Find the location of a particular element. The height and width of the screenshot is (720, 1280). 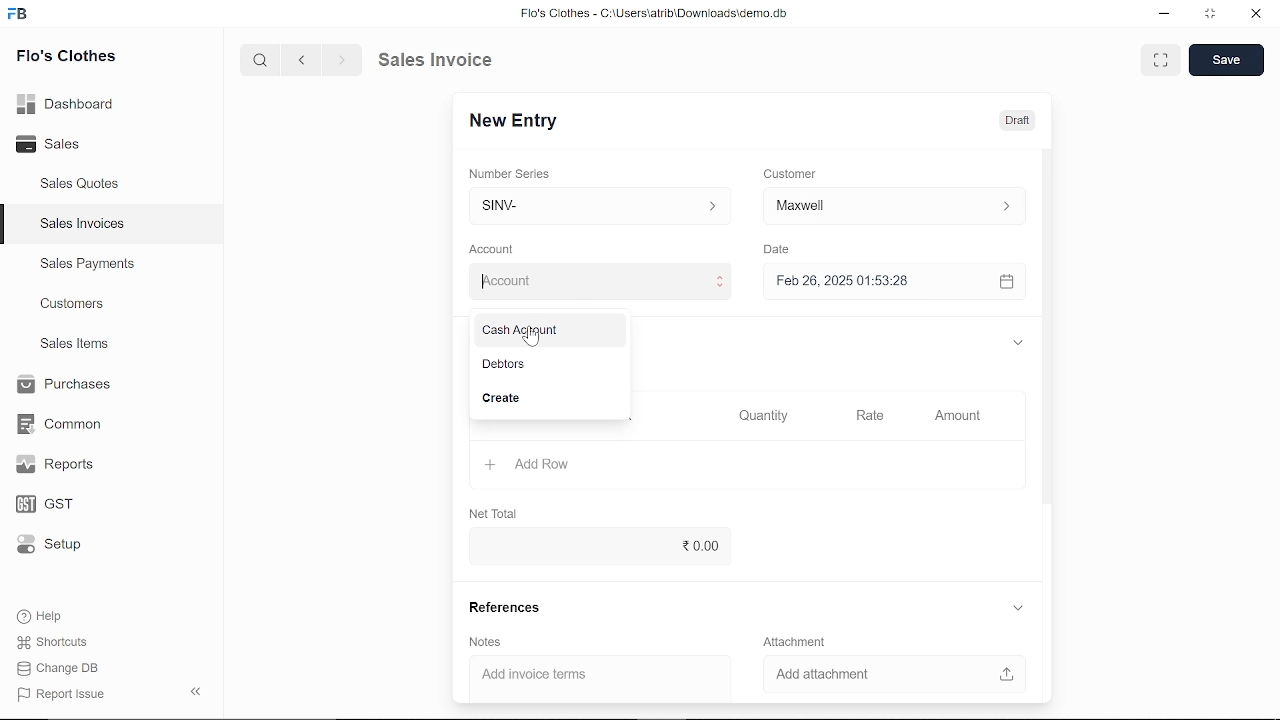

Sales Payments. is located at coordinates (86, 264).